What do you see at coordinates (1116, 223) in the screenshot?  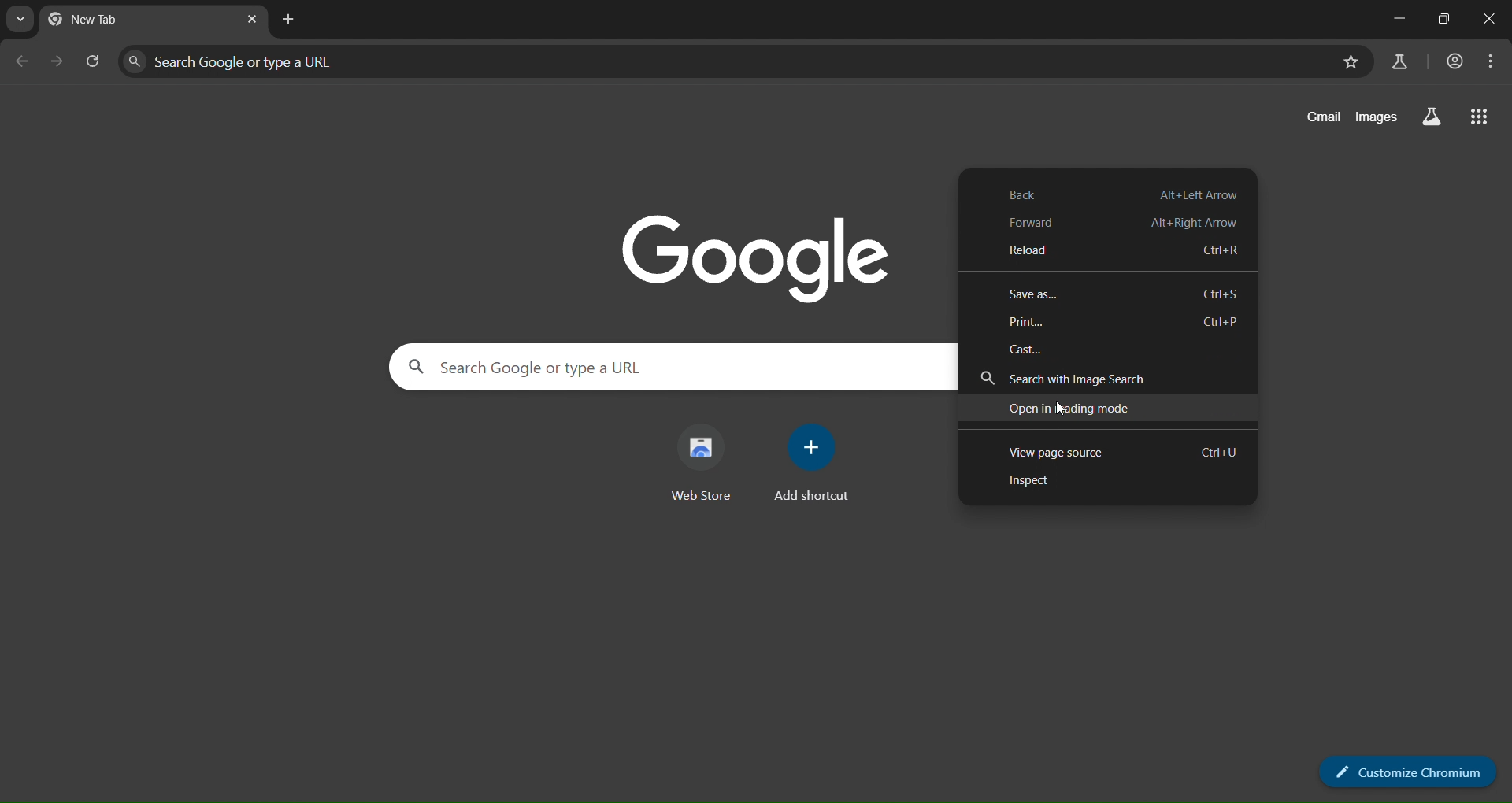 I see `forward` at bounding box center [1116, 223].